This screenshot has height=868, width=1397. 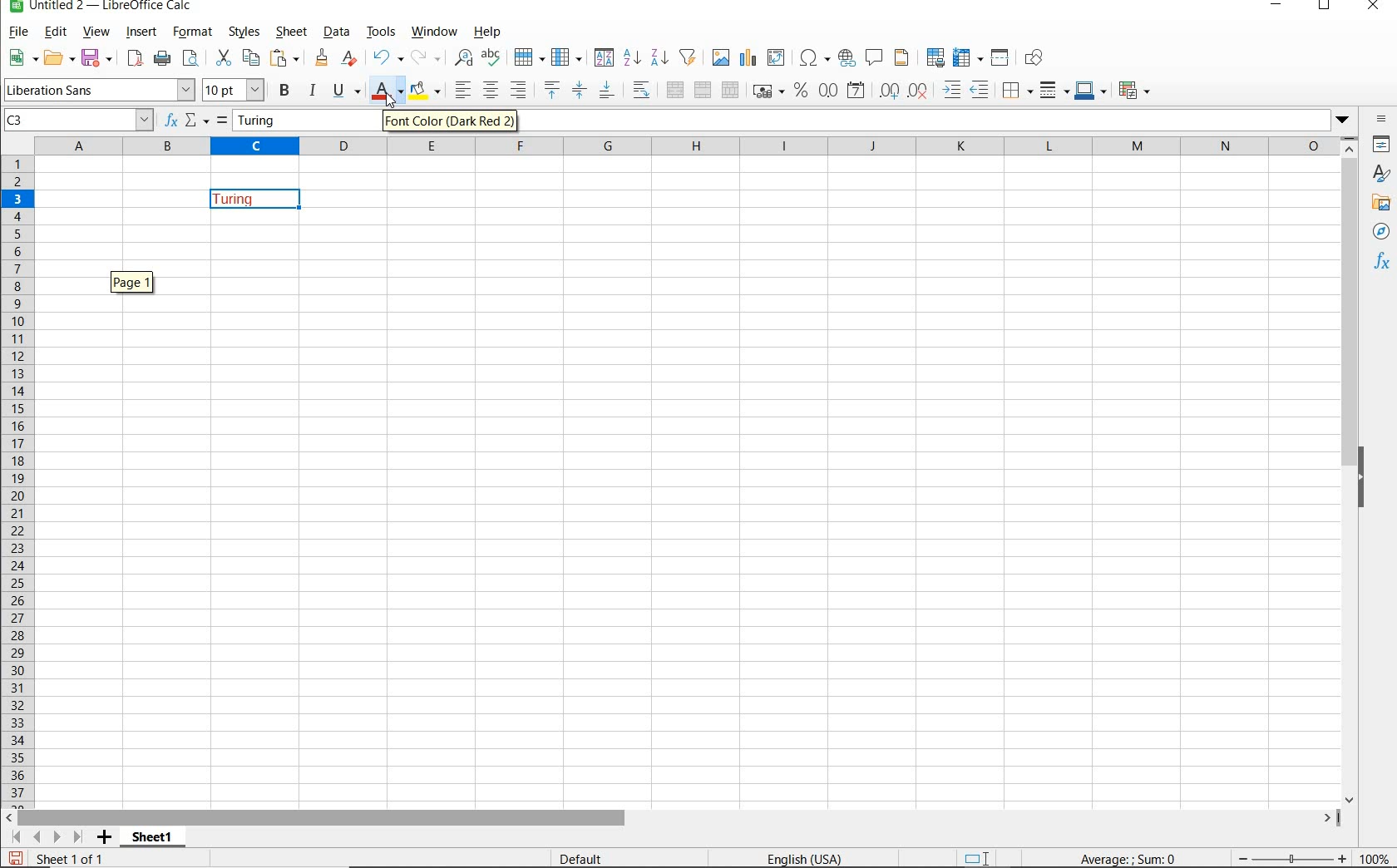 I want to click on ALIGN RIGHT, so click(x=519, y=91).